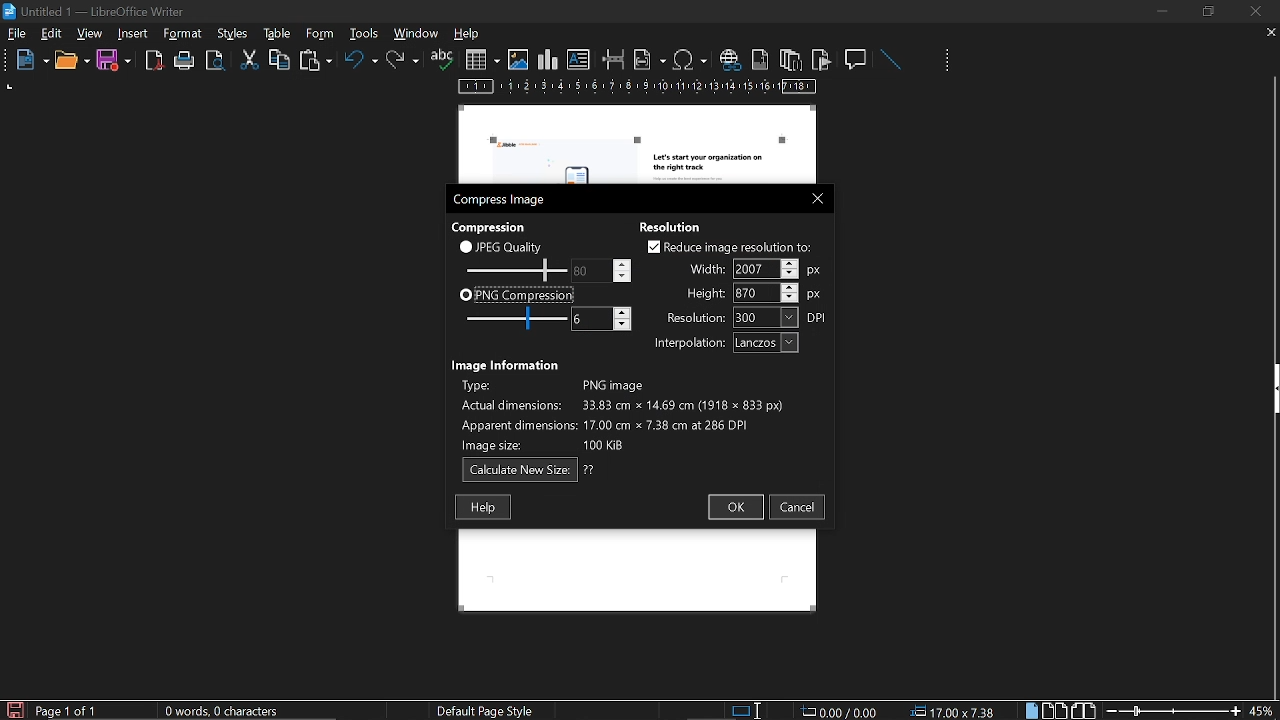 The width and height of the screenshot is (1280, 720). What do you see at coordinates (470, 35) in the screenshot?
I see `help` at bounding box center [470, 35].